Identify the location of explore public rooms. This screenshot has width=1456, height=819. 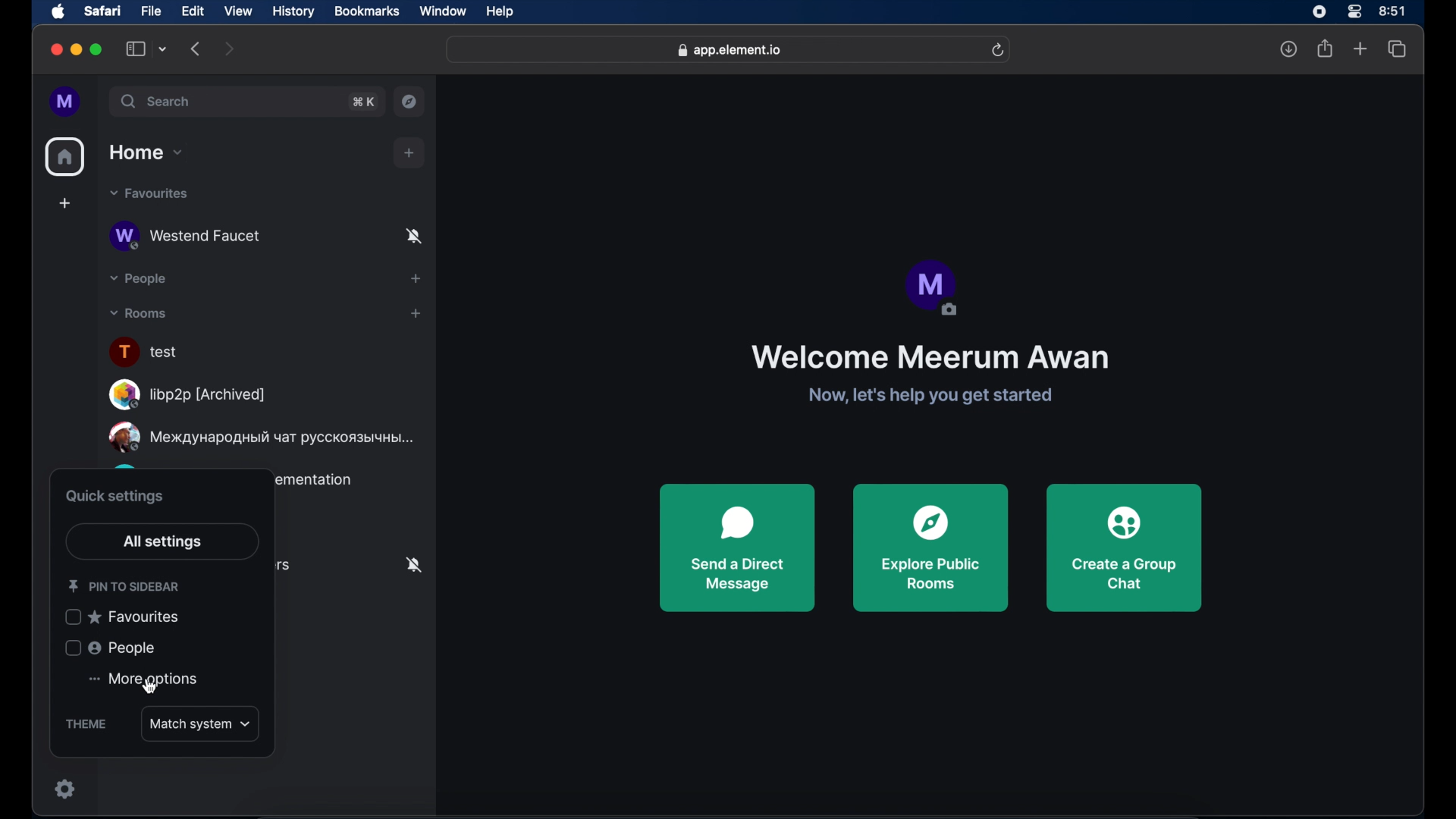
(410, 102).